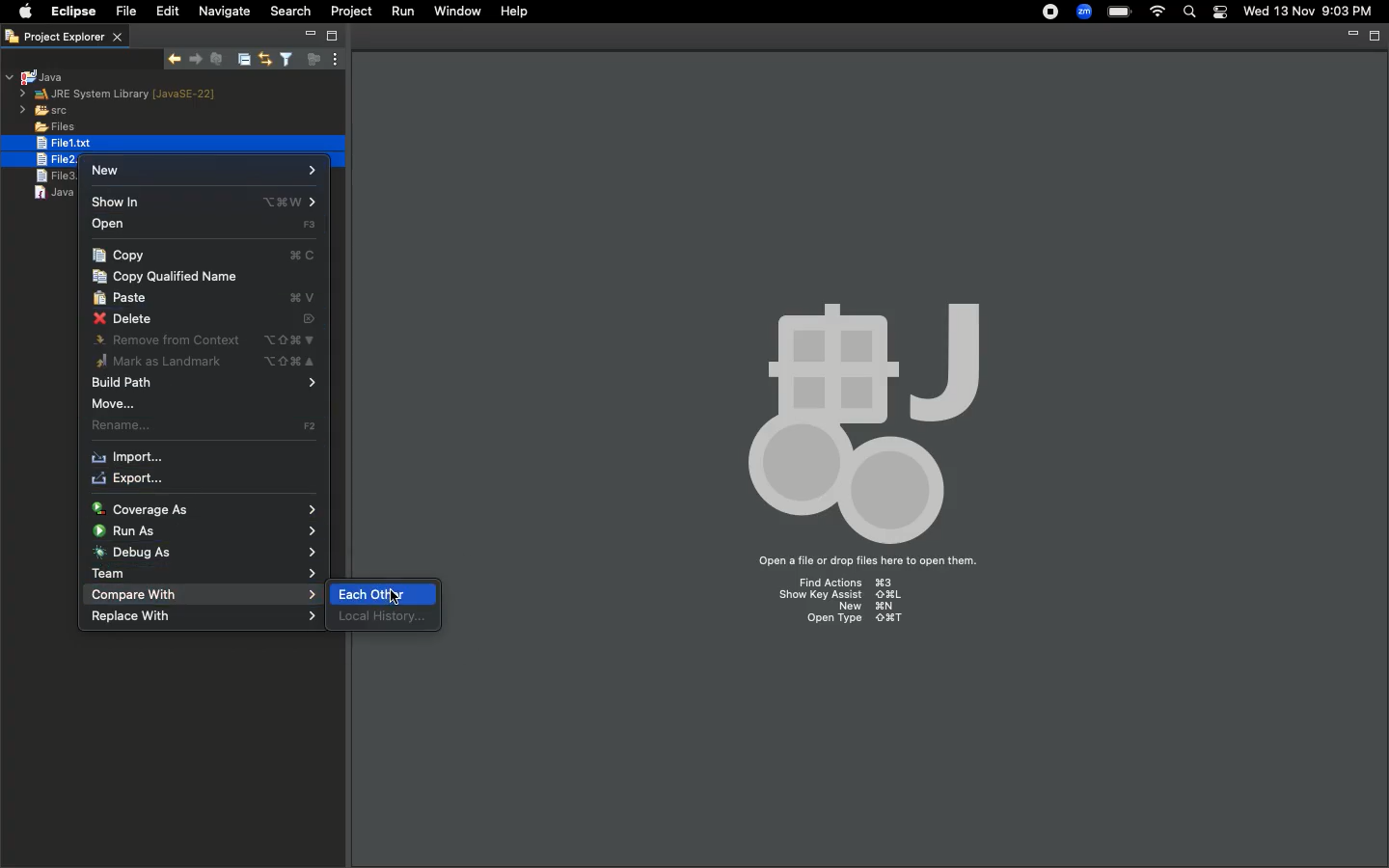  What do you see at coordinates (1373, 38) in the screenshot?
I see `Maximize` at bounding box center [1373, 38].